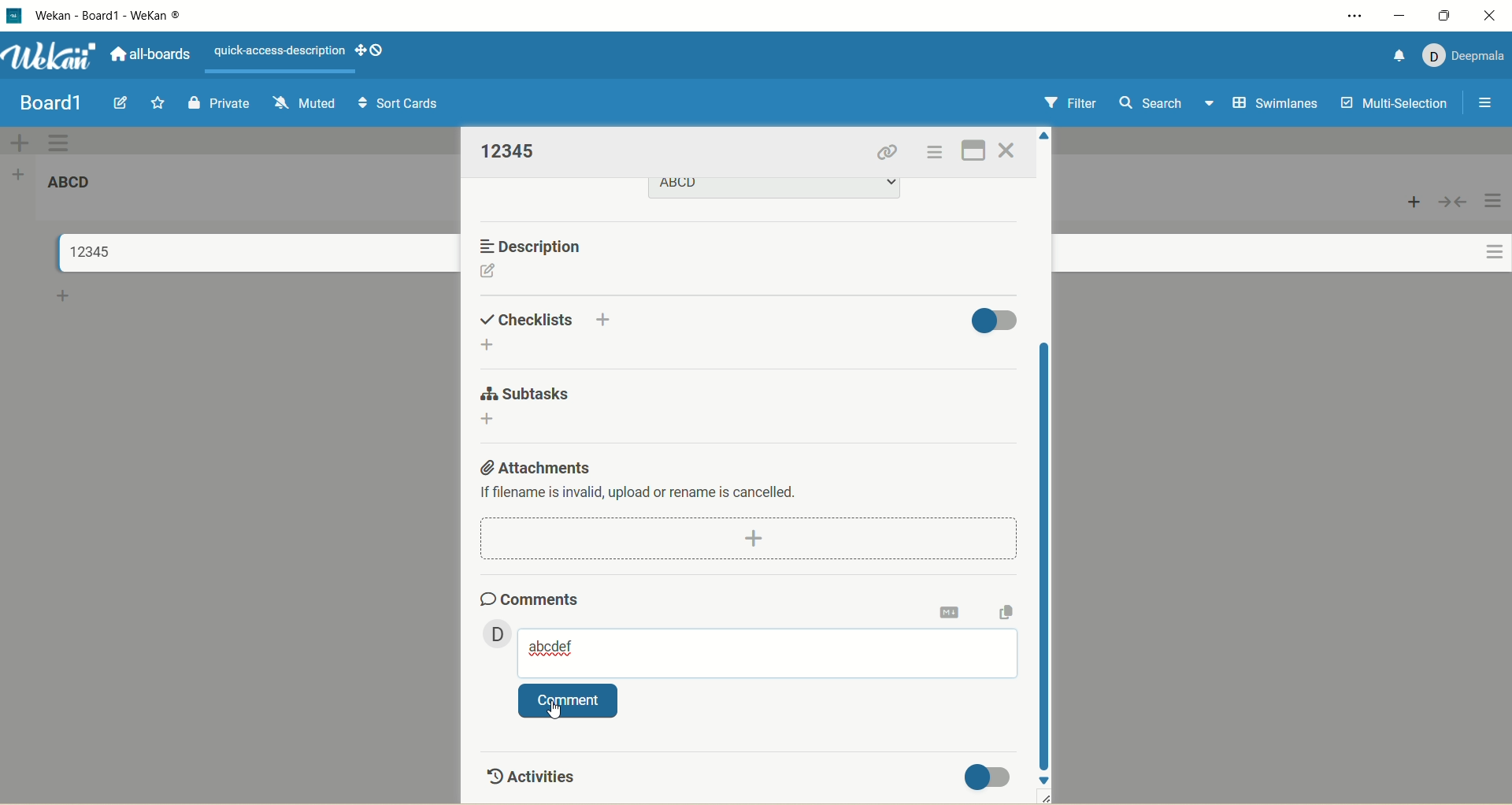  I want to click on add, so click(486, 420).